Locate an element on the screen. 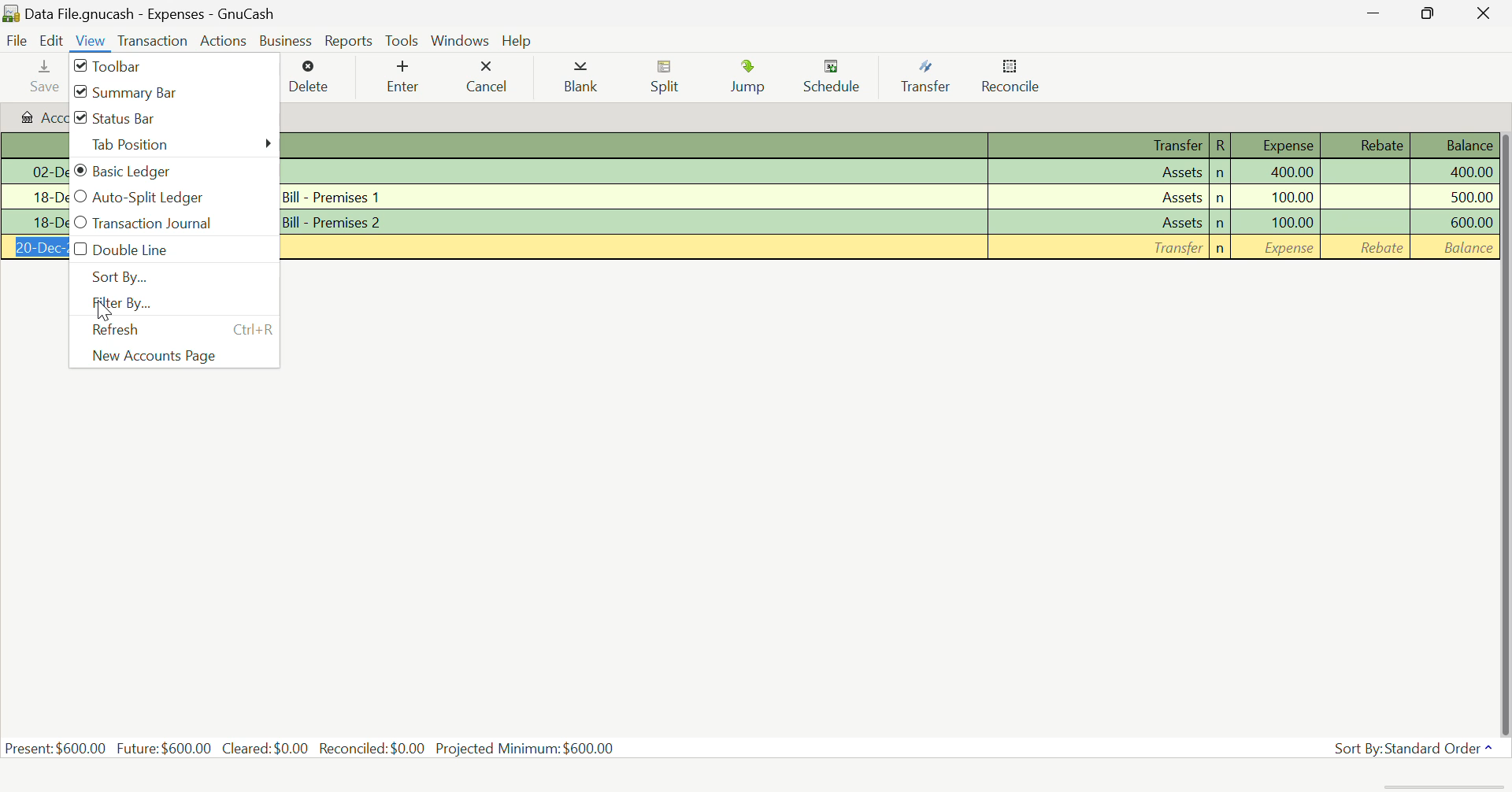 Image resolution: width=1512 pixels, height=792 pixels. Transfer is located at coordinates (1100, 146).